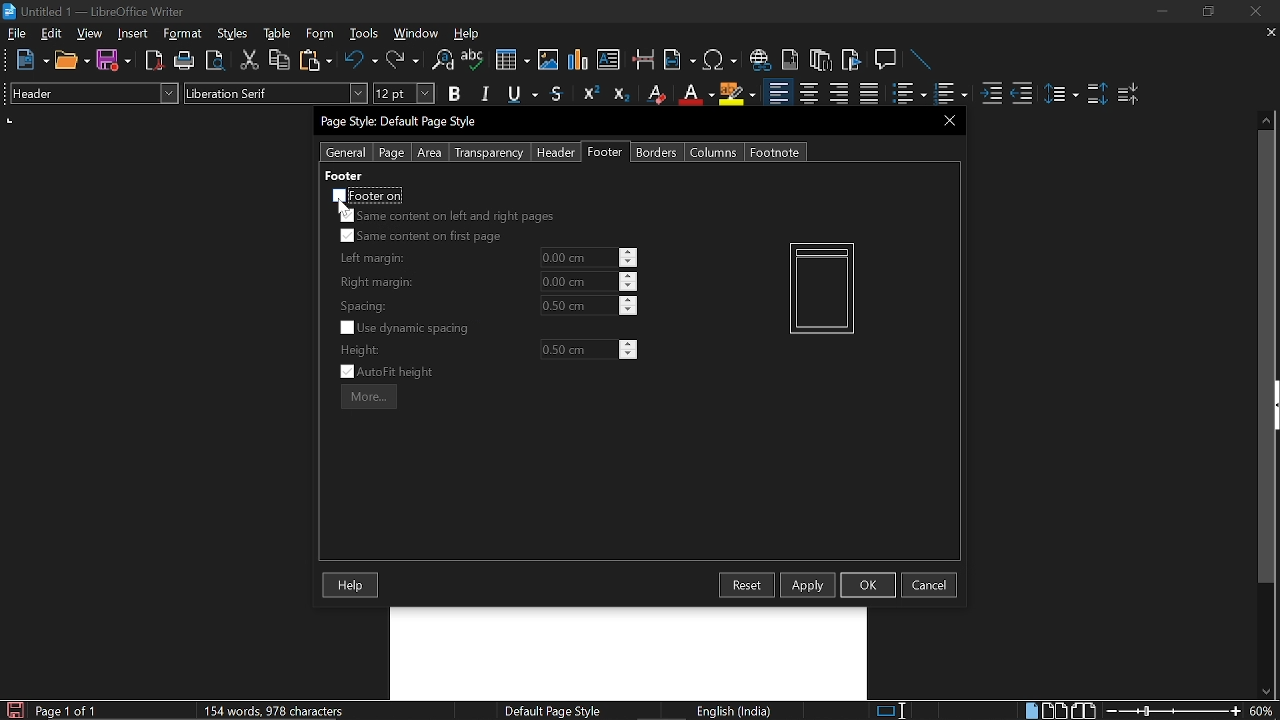 The height and width of the screenshot is (720, 1280). Describe the element at coordinates (391, 153) in the screenshot. I see `page Page` at that location.